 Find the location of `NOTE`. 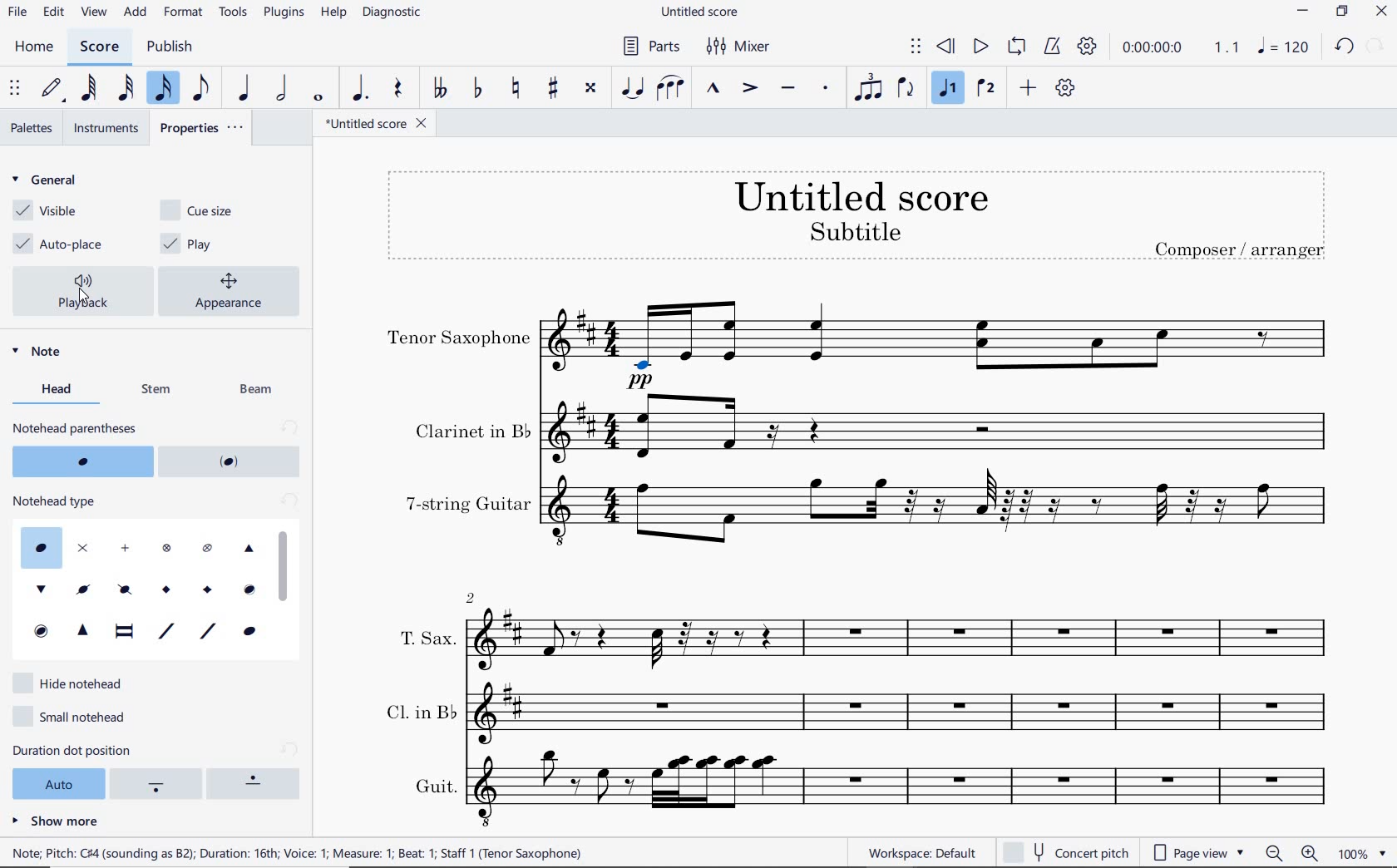

NOTE is located at coordinates (1284, 48).